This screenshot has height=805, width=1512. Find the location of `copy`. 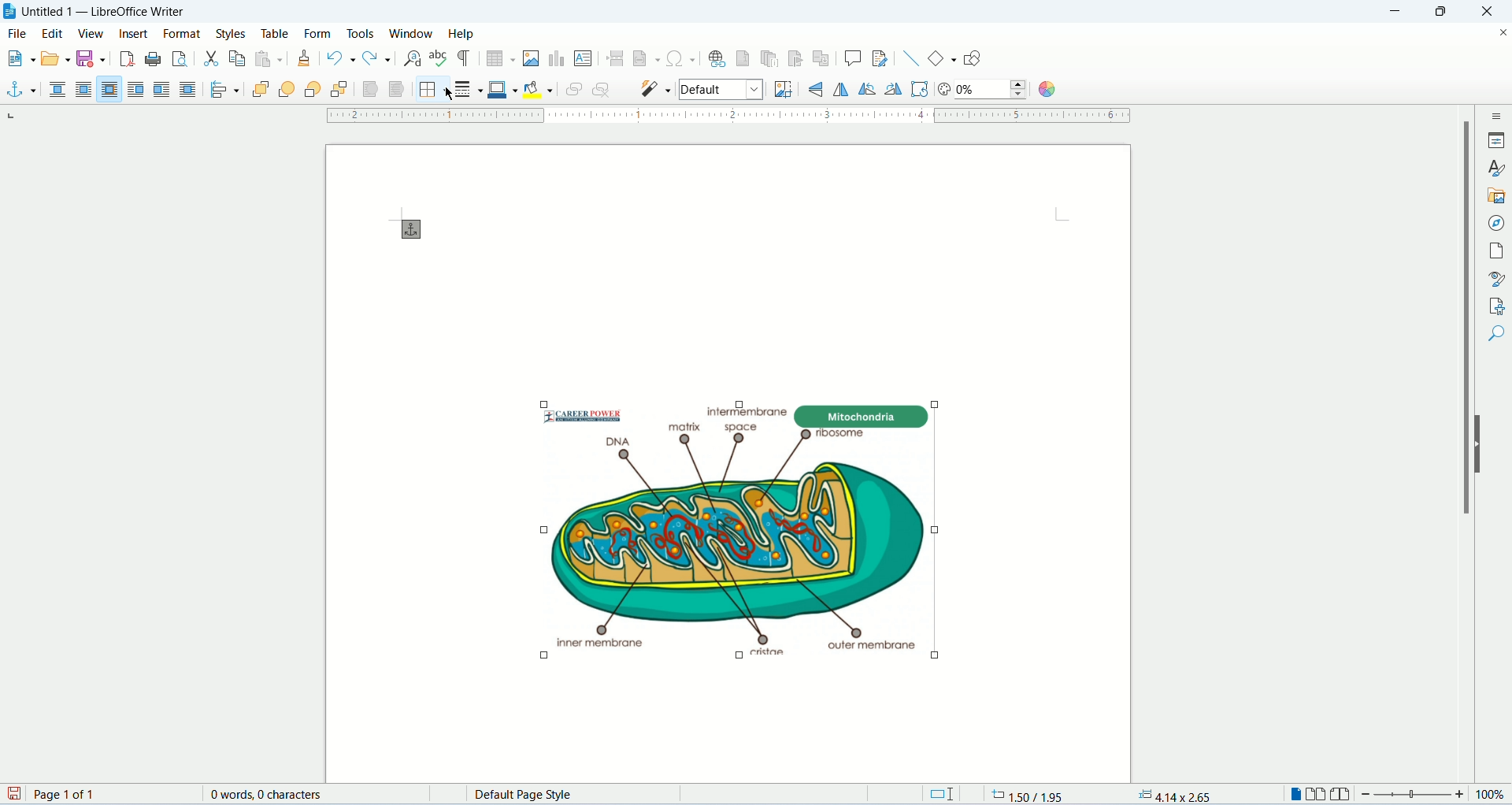

copy is located at coordinates (237, 58).